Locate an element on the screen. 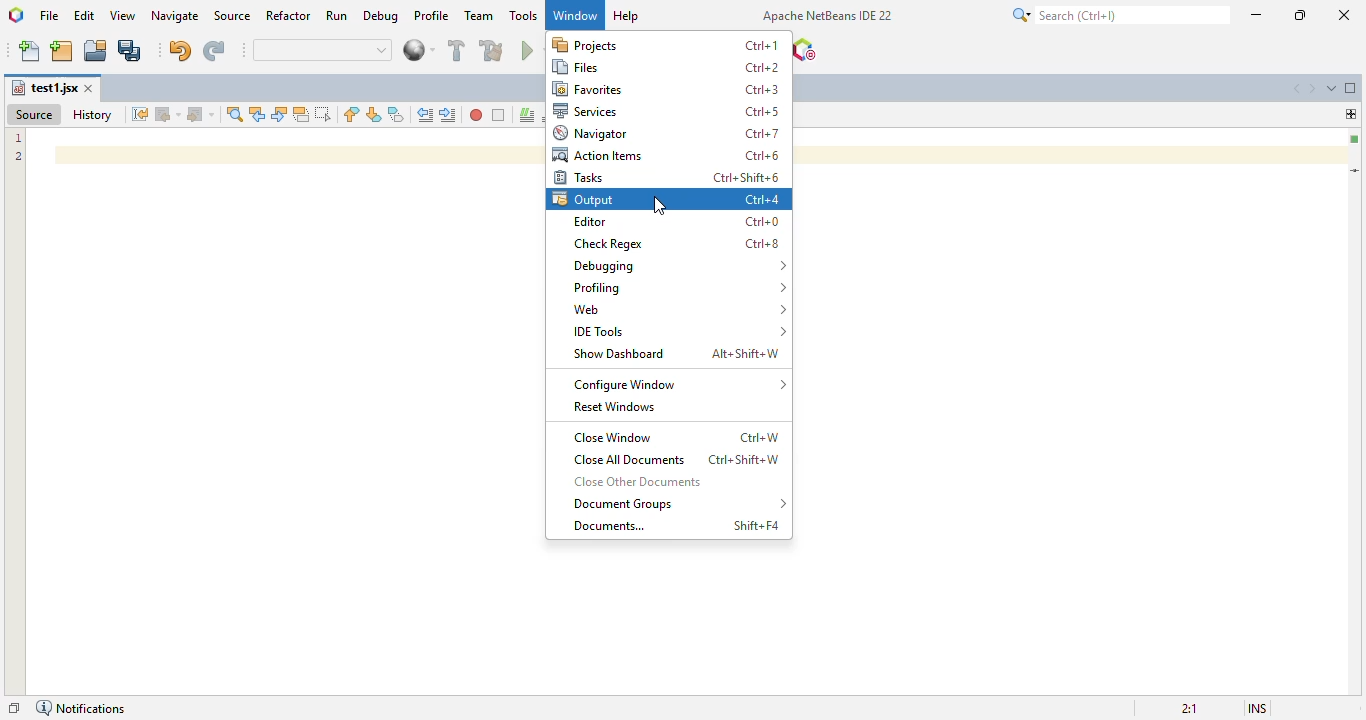 Image resolution: width=1366 pixels, height=720 pixels. web is located at coordinates (677, 309).